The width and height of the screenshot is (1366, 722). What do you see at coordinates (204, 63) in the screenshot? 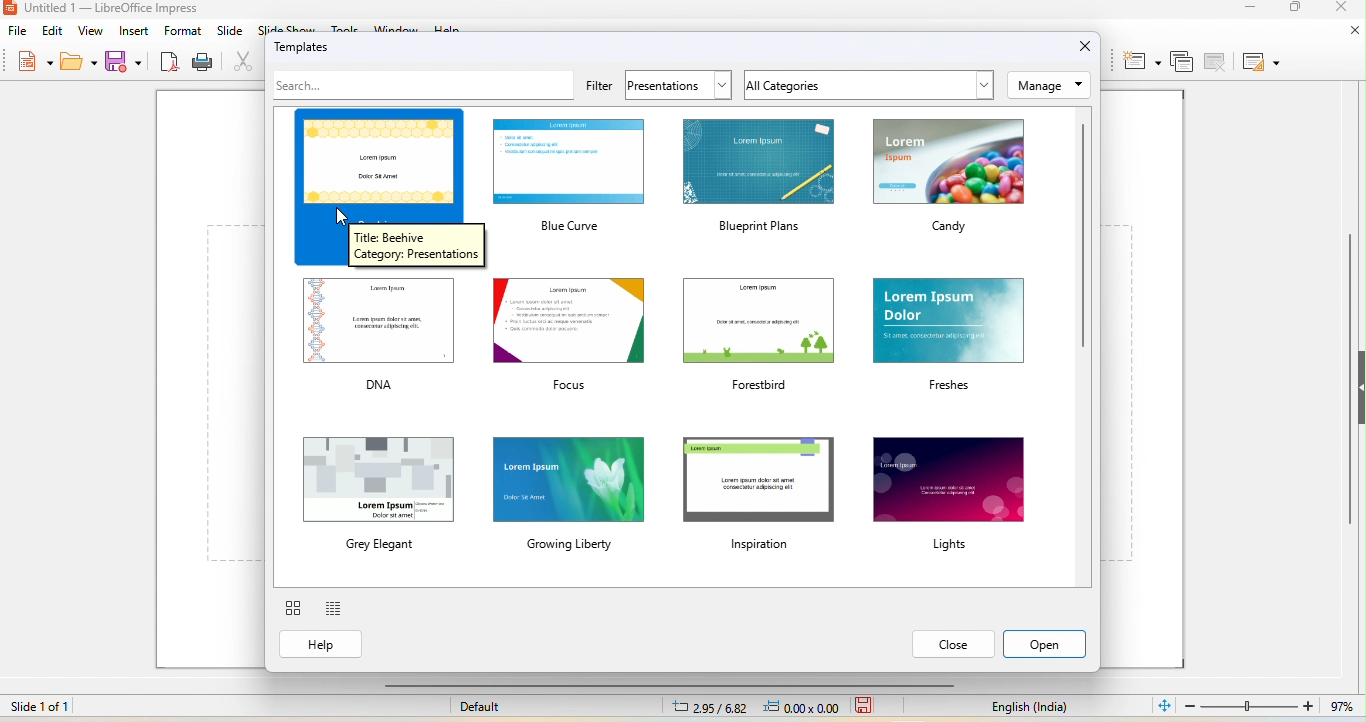
I see `print` at bounding box center [204, 63].